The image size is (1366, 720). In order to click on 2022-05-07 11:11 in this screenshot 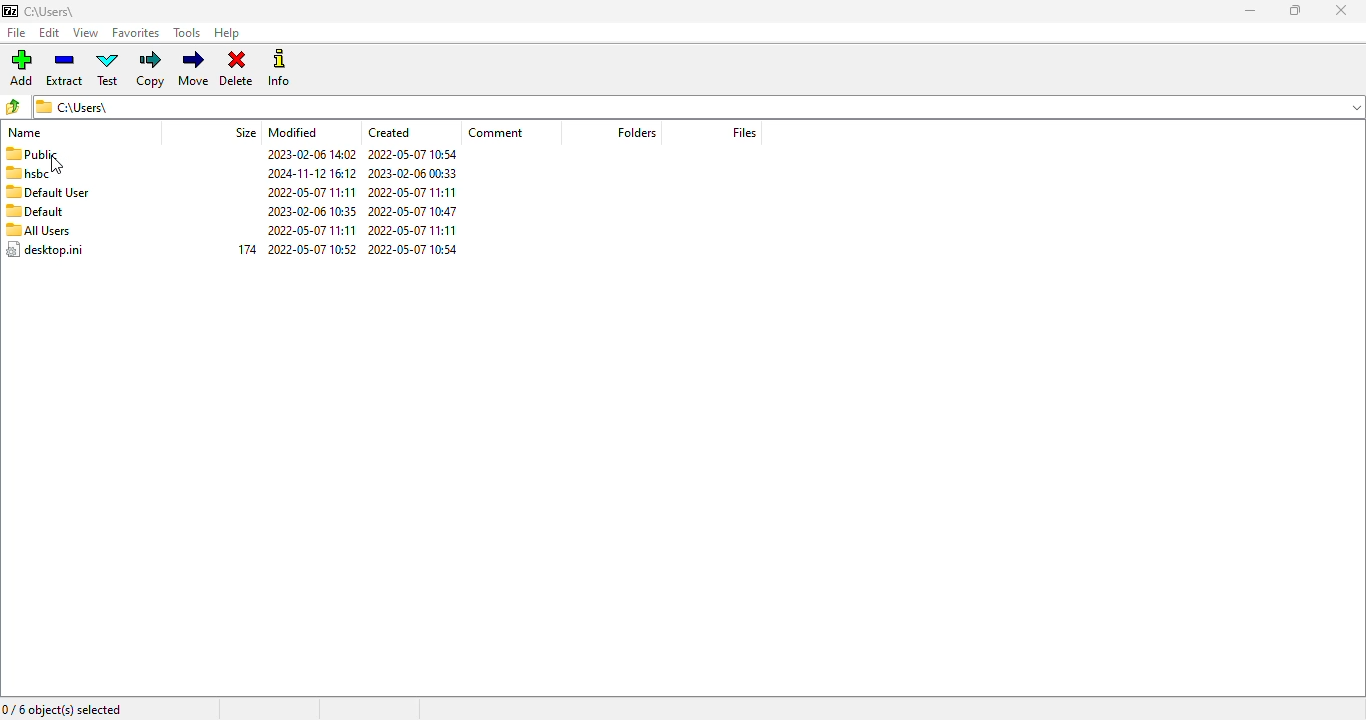, I will do `click(305, 192)`.